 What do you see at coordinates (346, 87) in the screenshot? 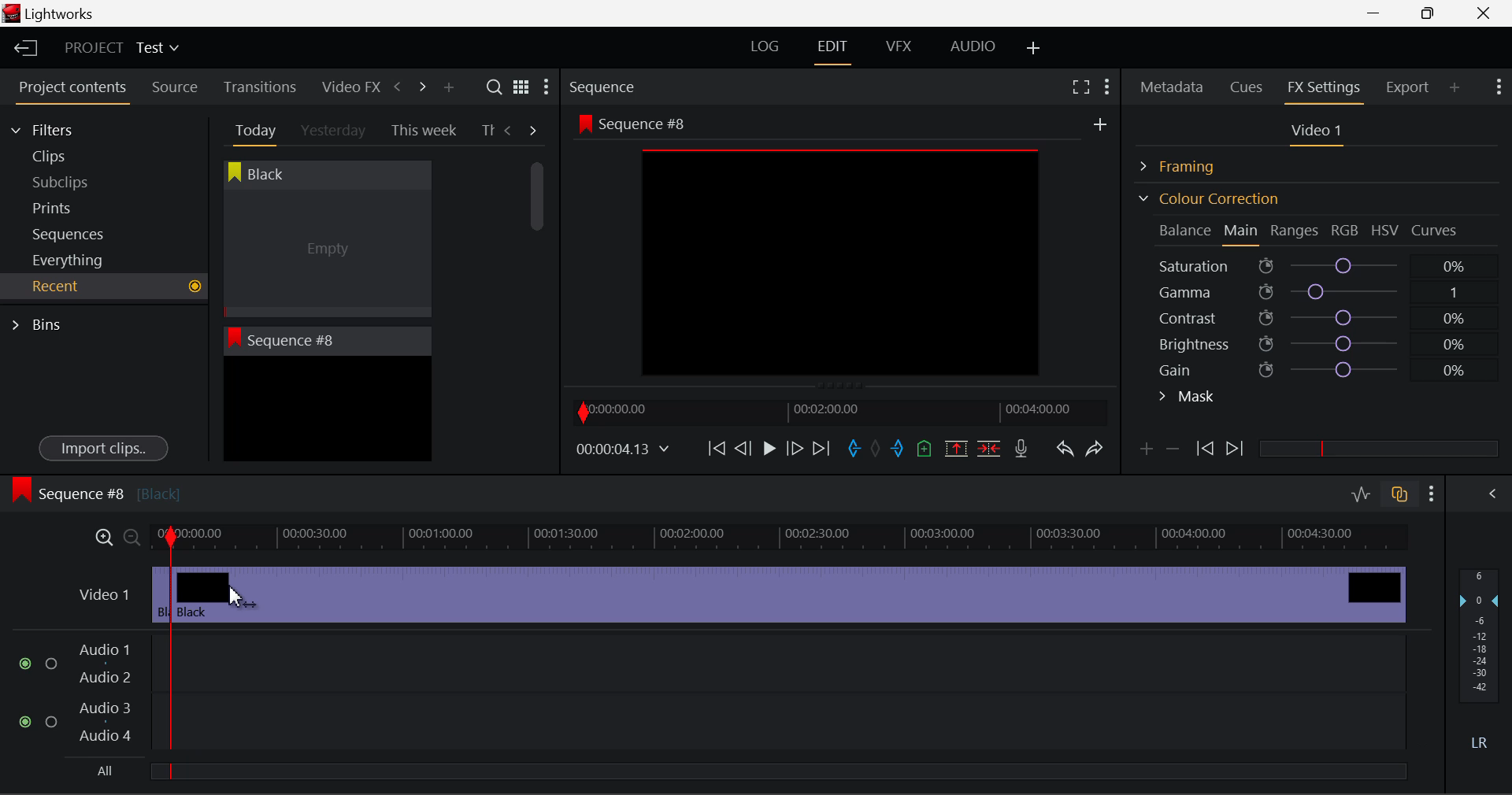
I see `Video FX` at bounding box center [346, 87].